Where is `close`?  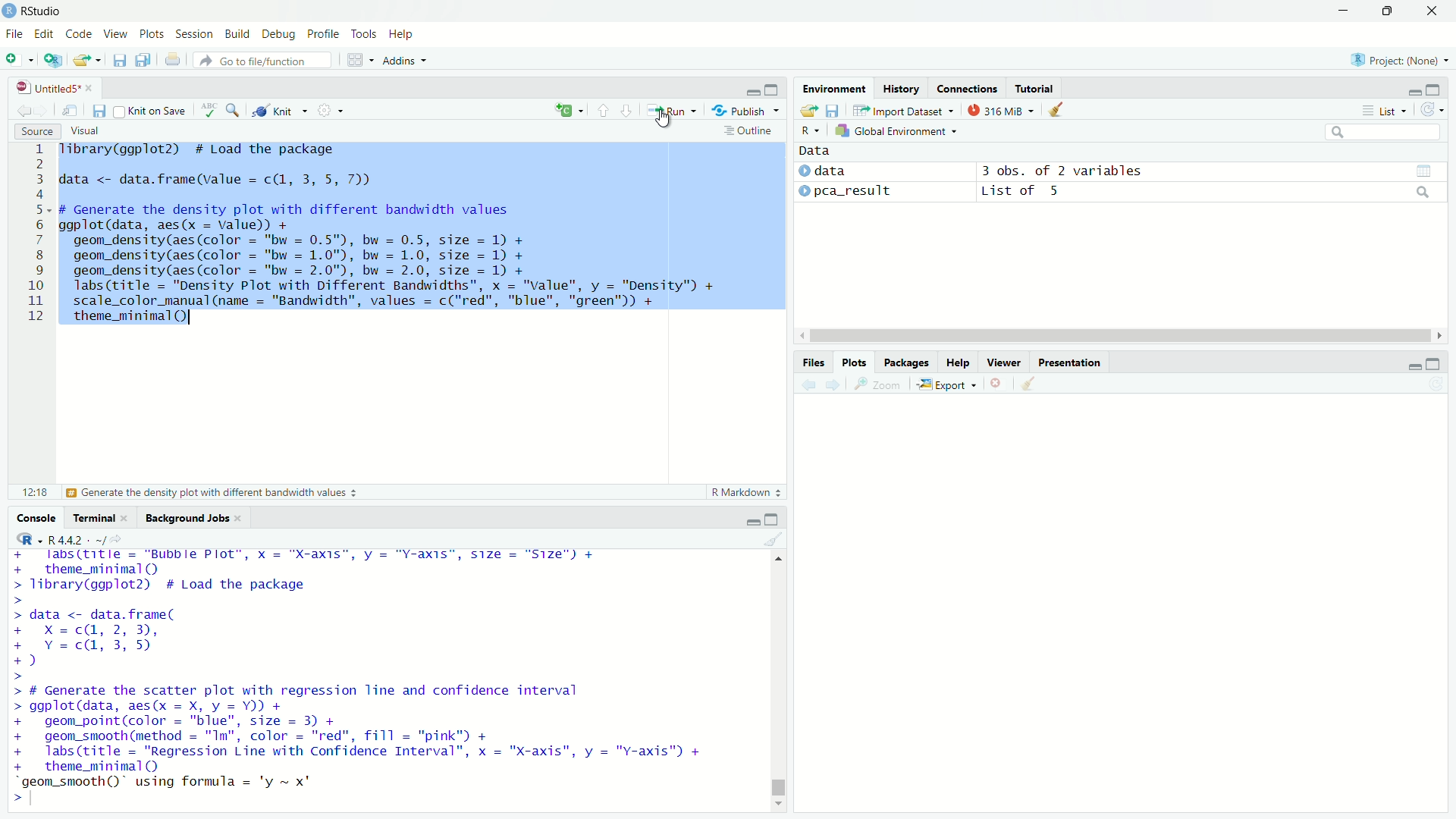
close is located at coordinates (124, 518).